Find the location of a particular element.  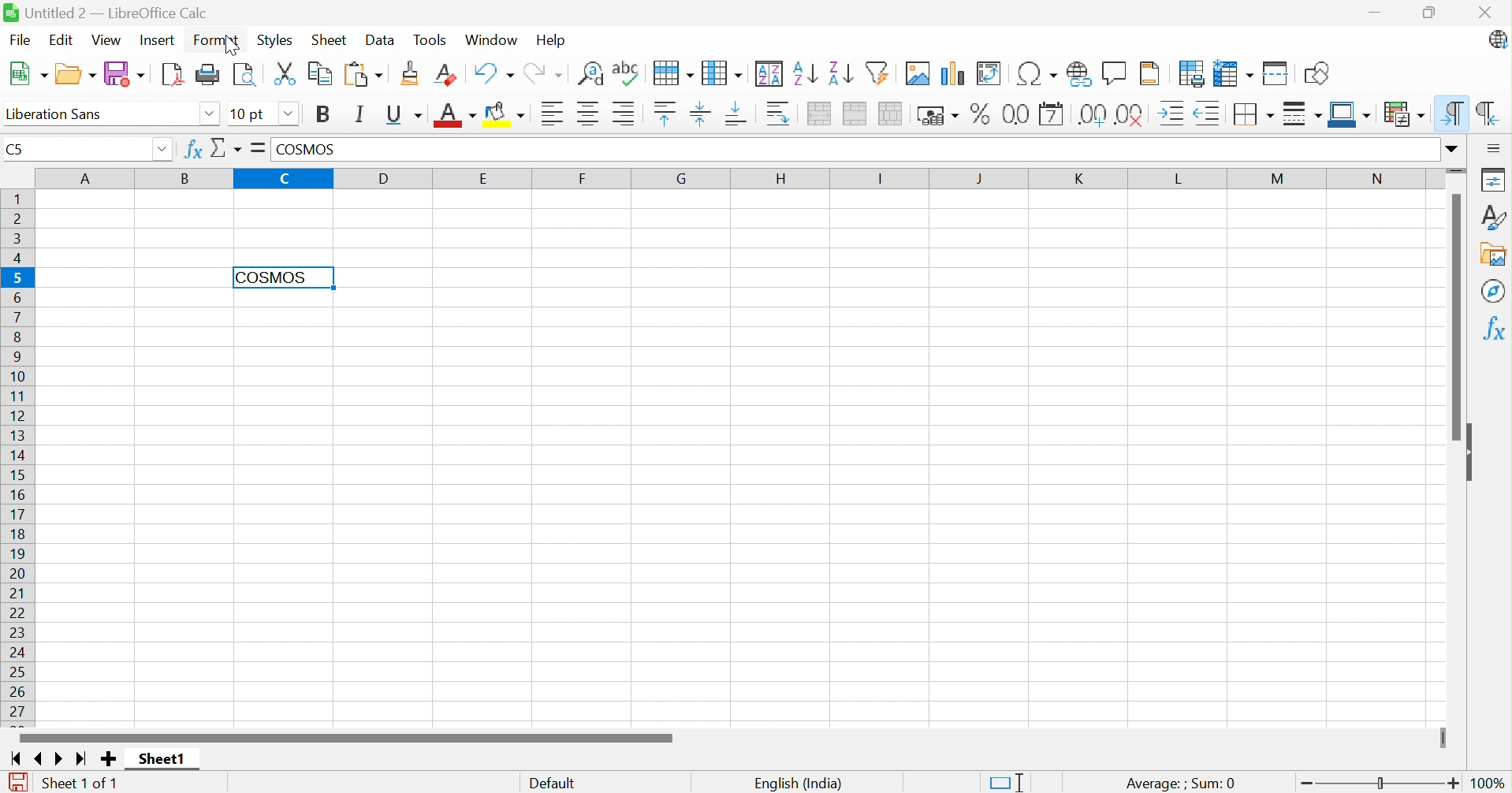

Show Draw  Functions is located at coordinates (1320, 72).